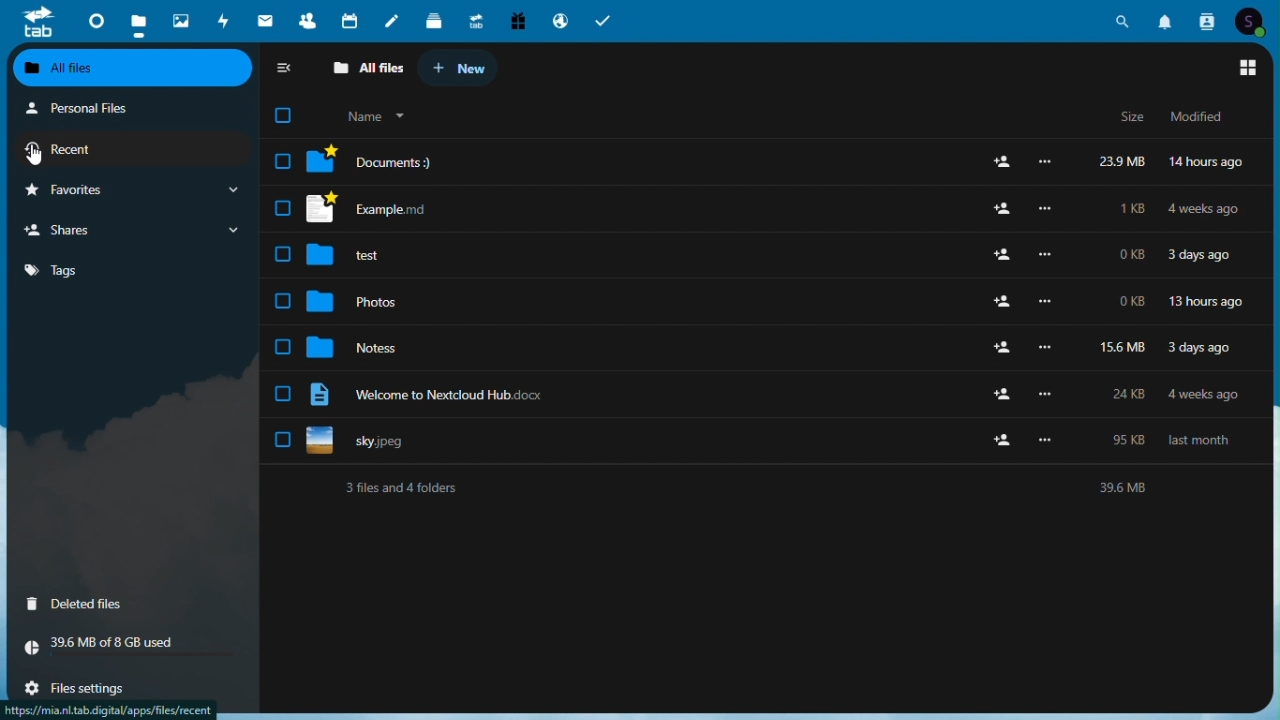  Describe the element at coordinates (345, 19) in the screenshot. I see `calendar` at that location.